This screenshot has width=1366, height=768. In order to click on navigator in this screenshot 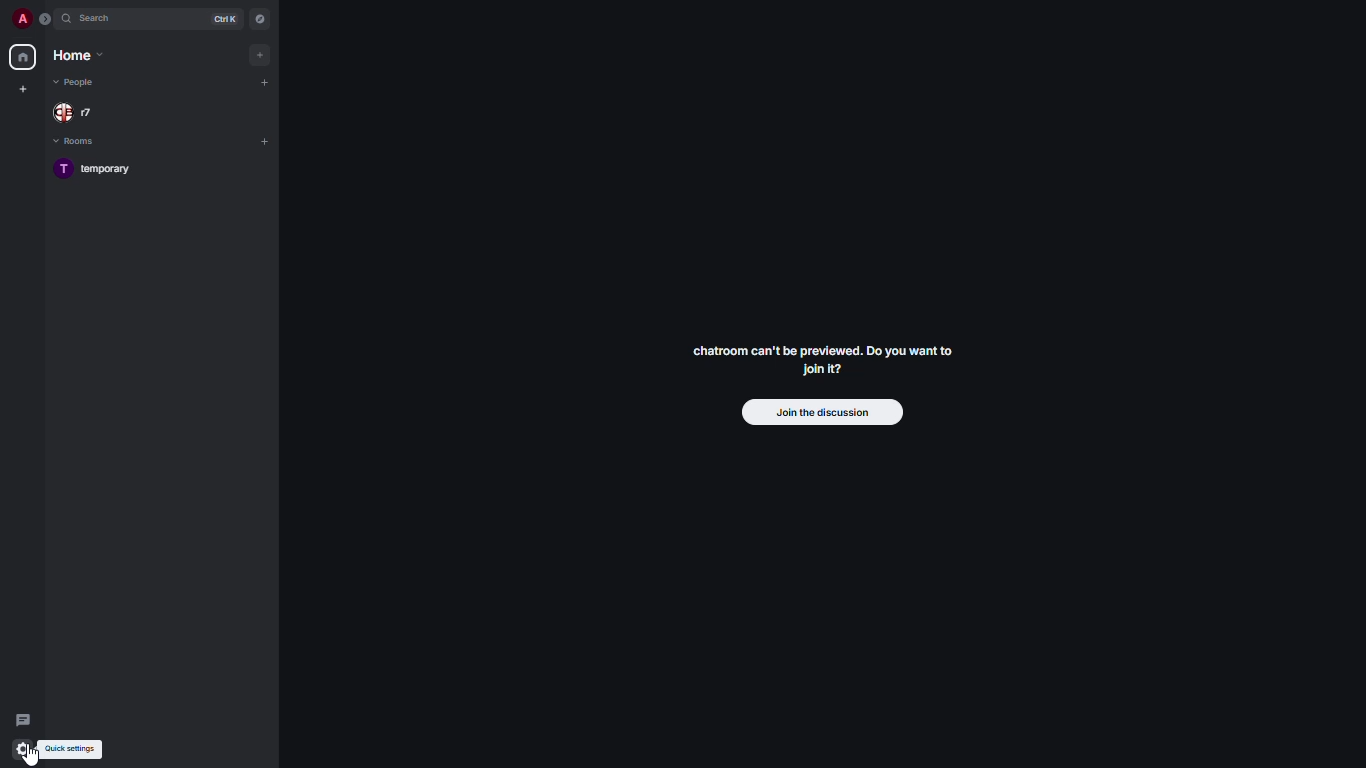, I will do `click(258, 20)`.